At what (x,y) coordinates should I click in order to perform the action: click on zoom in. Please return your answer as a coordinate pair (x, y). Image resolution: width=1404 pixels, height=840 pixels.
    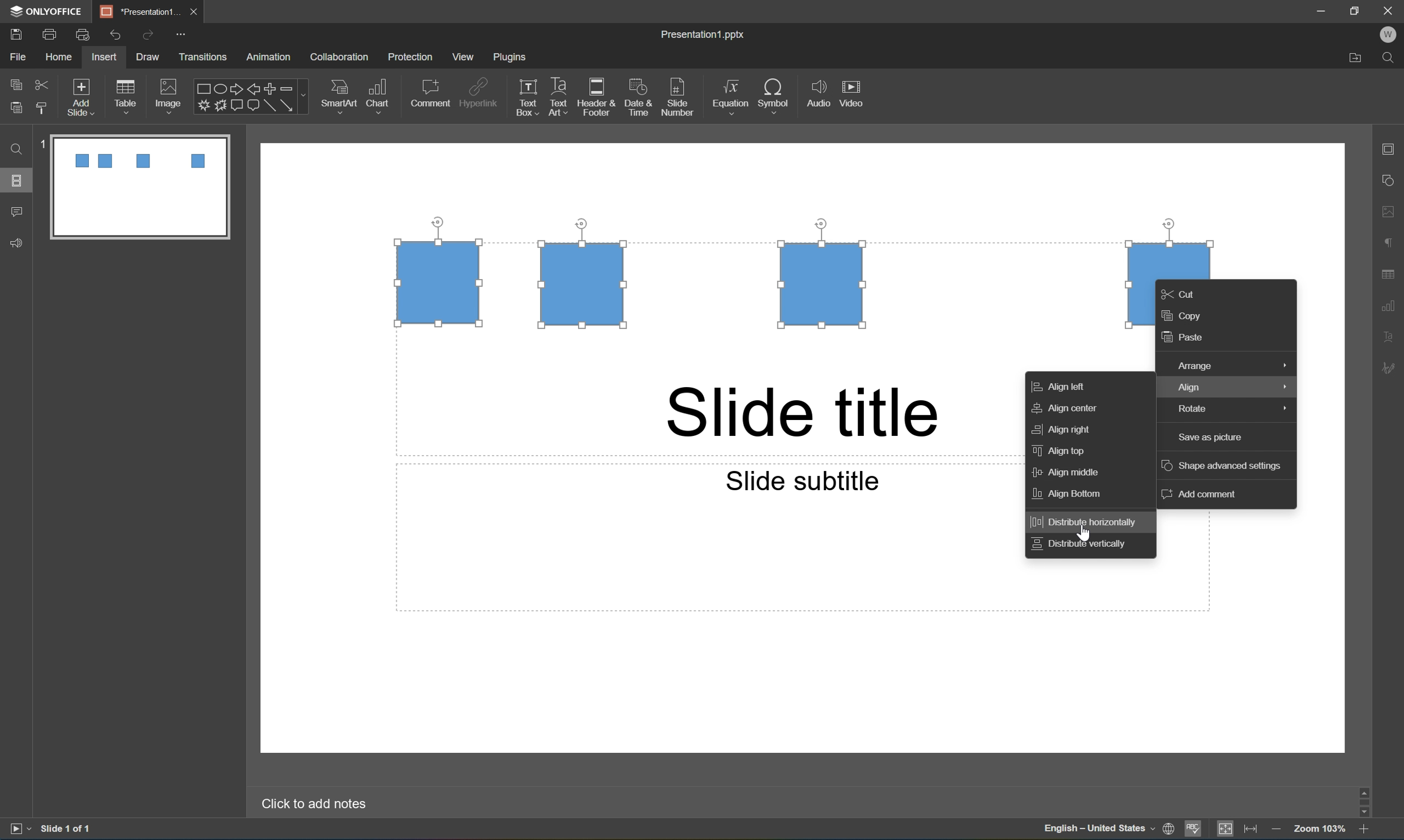
    Looking at the image, I should click on (1363, 832).